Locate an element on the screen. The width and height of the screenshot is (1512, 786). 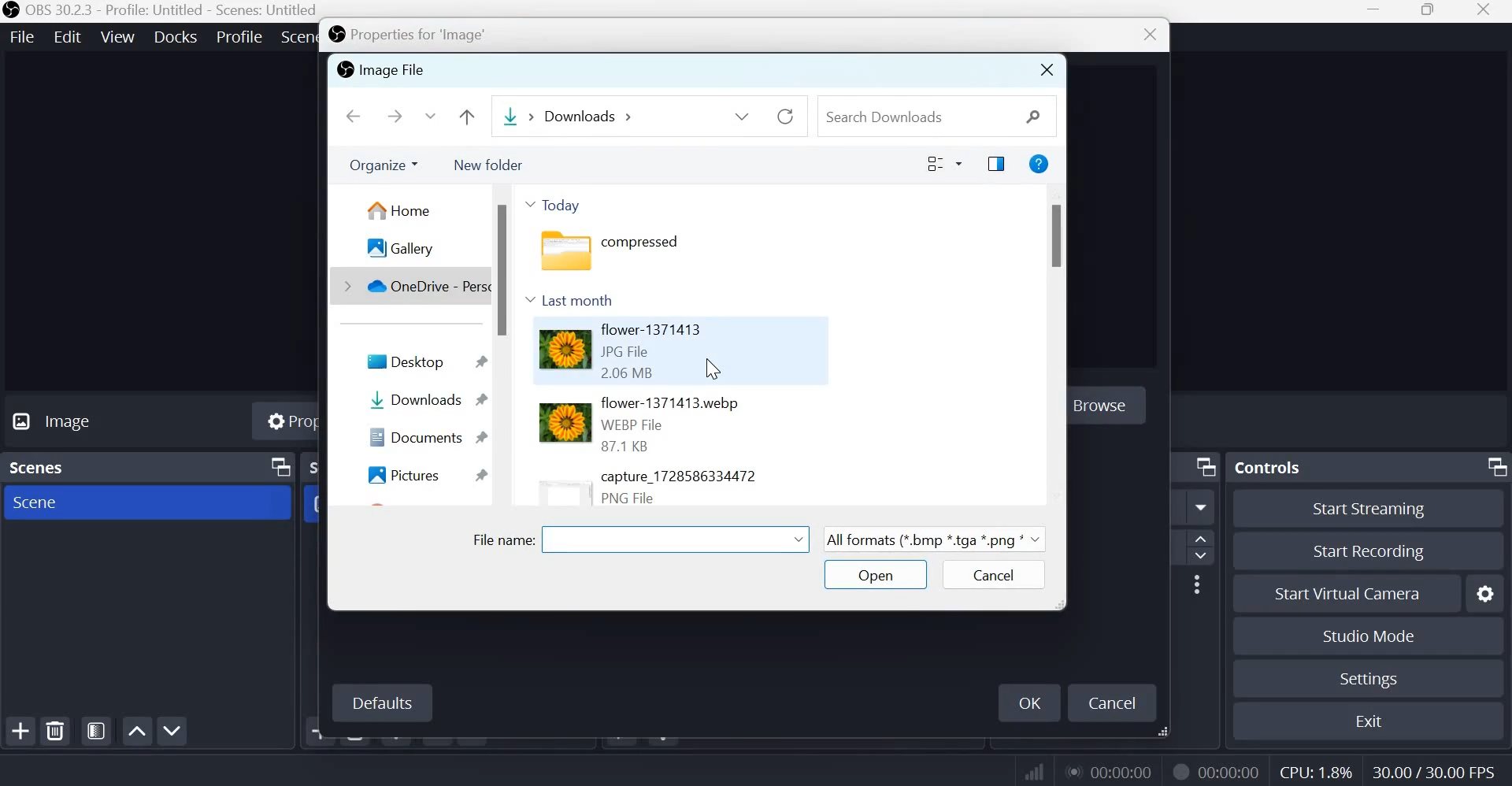
Pictures is located at coordinates (426, 478).